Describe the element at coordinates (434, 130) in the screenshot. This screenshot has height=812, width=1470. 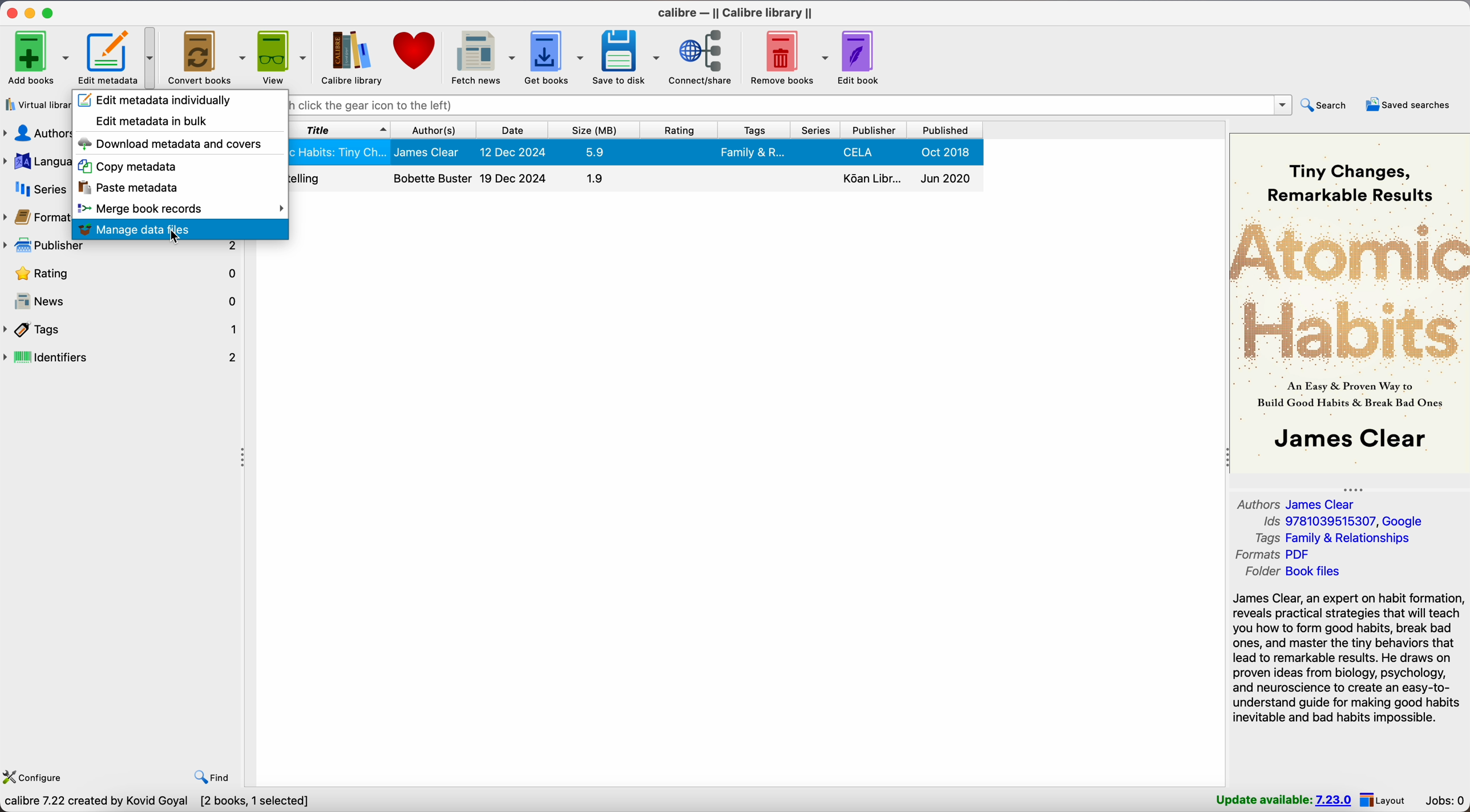
I see `author(s)` at that location.